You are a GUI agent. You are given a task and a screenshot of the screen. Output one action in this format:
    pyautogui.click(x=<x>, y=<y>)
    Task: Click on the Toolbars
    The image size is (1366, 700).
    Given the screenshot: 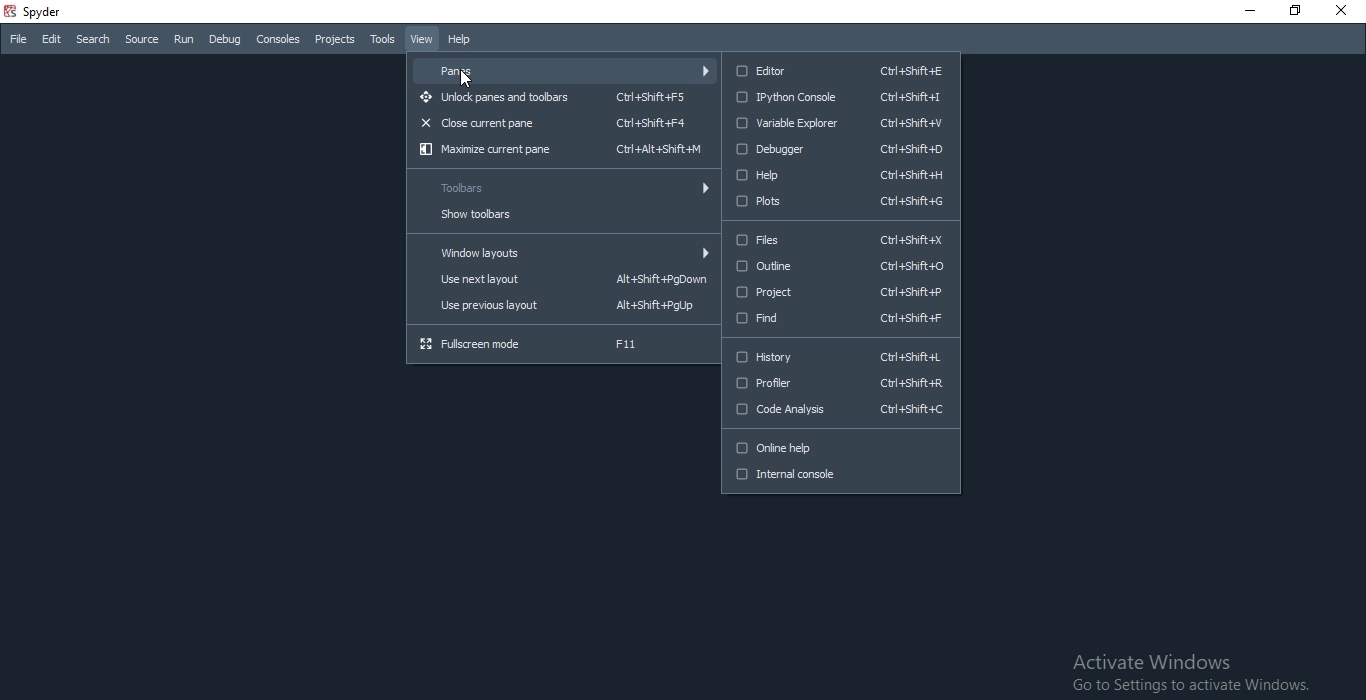 What is the action you would take?
    pyautogui.click(x=561, y=186)
    